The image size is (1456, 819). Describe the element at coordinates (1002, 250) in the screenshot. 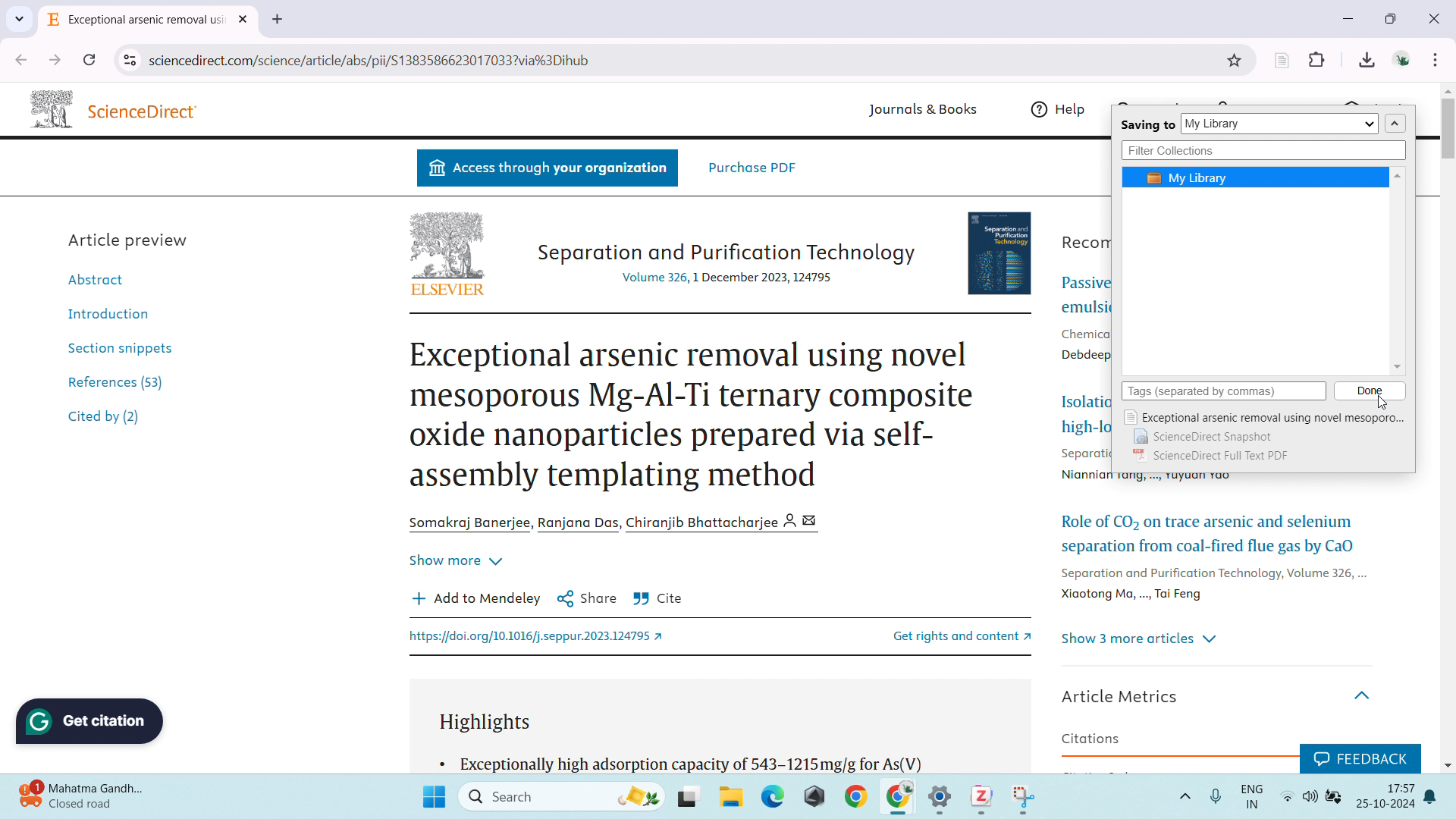

I see `Book Cover page` at that location.